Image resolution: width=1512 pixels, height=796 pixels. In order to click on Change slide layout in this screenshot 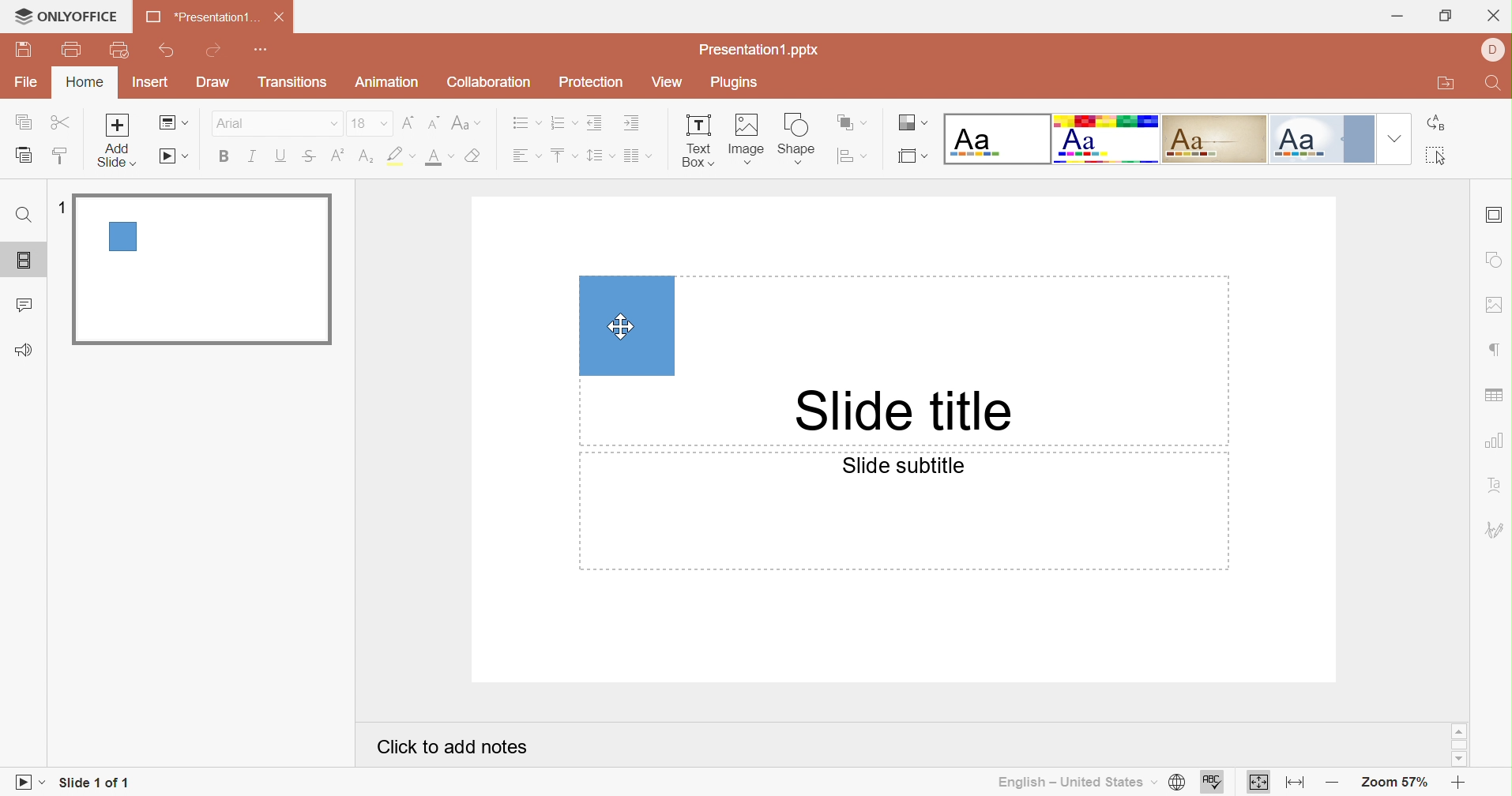, I will do `click(174, 122)`.